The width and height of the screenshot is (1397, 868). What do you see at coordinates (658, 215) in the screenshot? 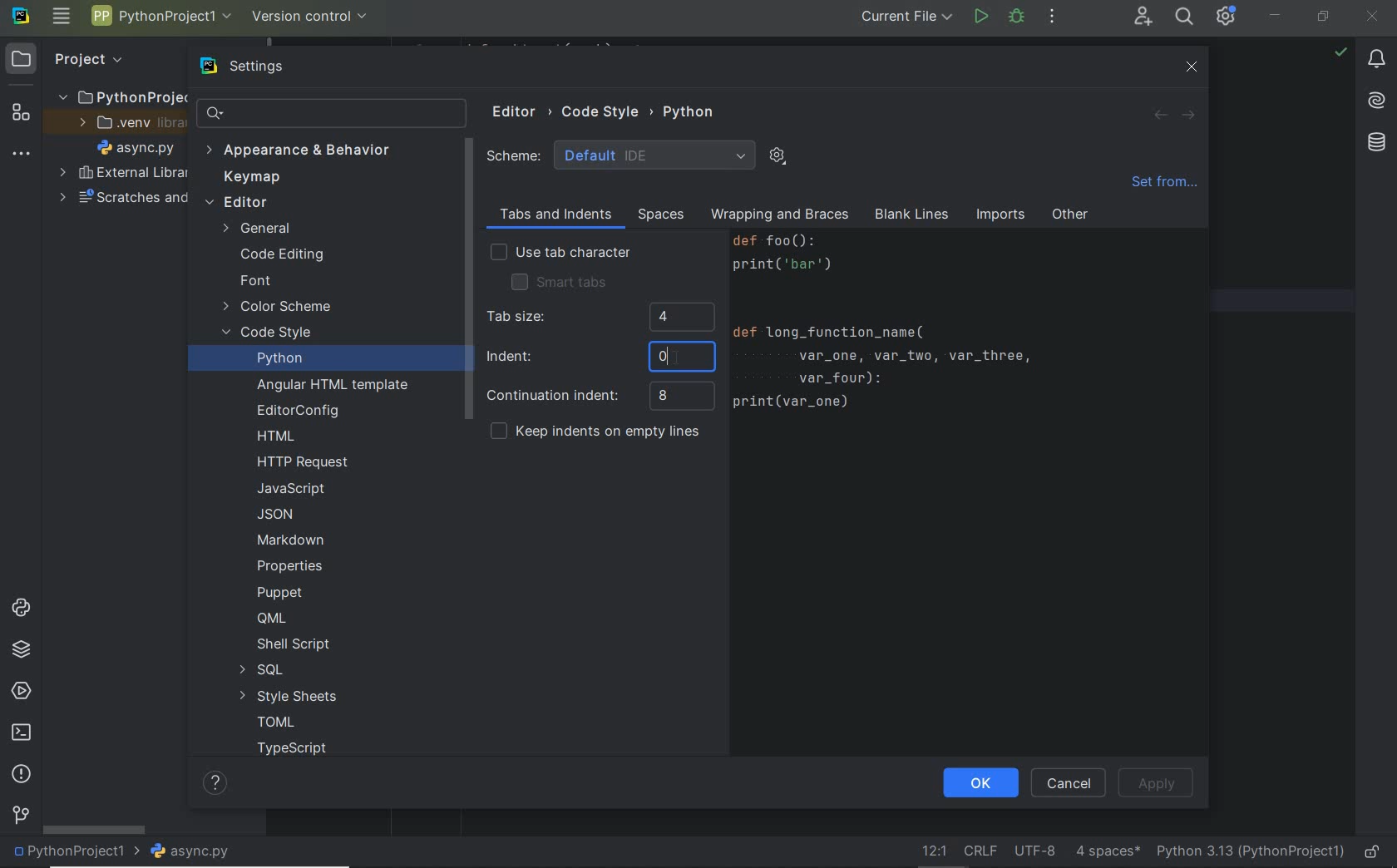
I see `spaces` at bounding box center [658, 215].